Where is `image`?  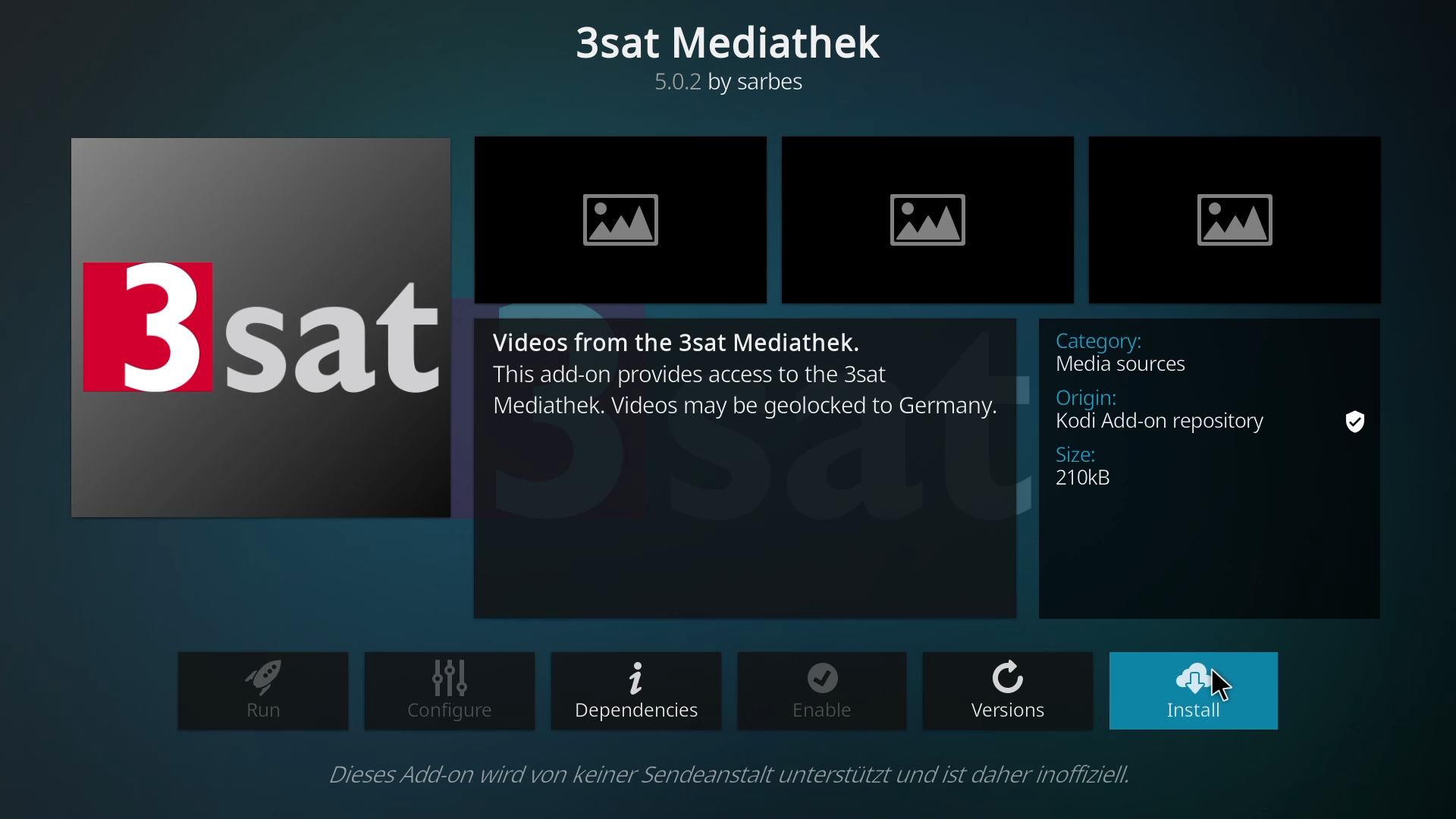 image is located at coordinates (939, 225).